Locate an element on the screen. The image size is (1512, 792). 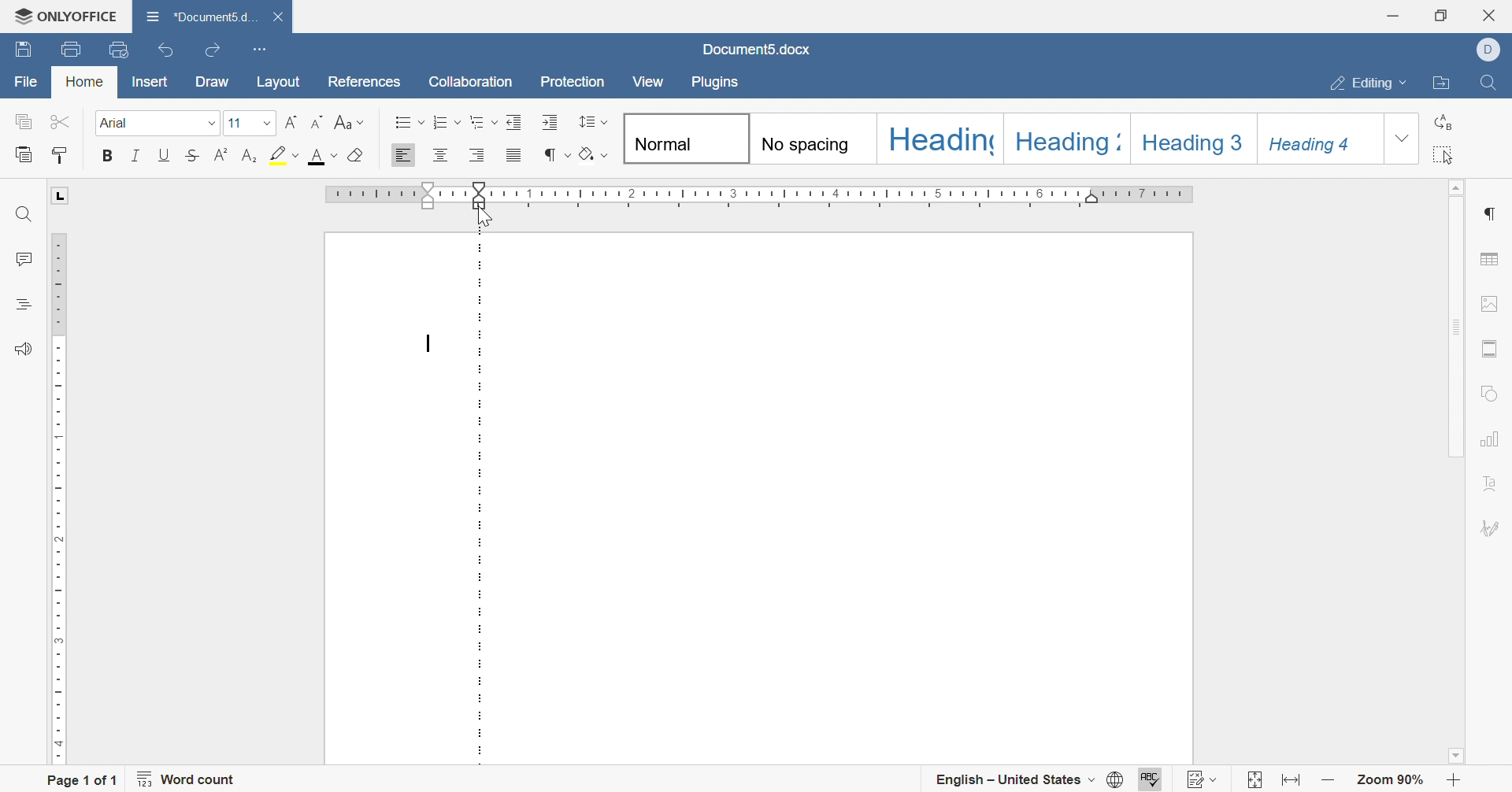
document5.docx is located at coordinates (196, 13).